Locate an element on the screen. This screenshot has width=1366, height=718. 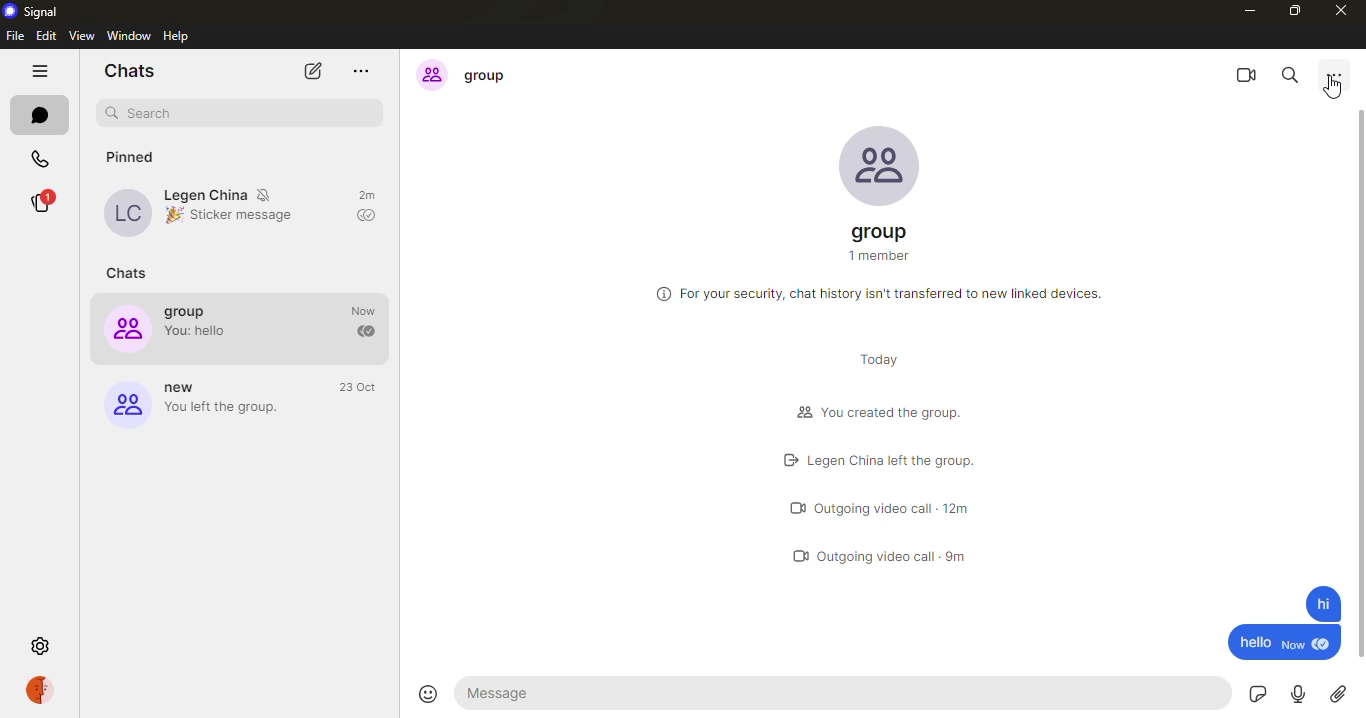
chats is located at coordinates (127, 273).